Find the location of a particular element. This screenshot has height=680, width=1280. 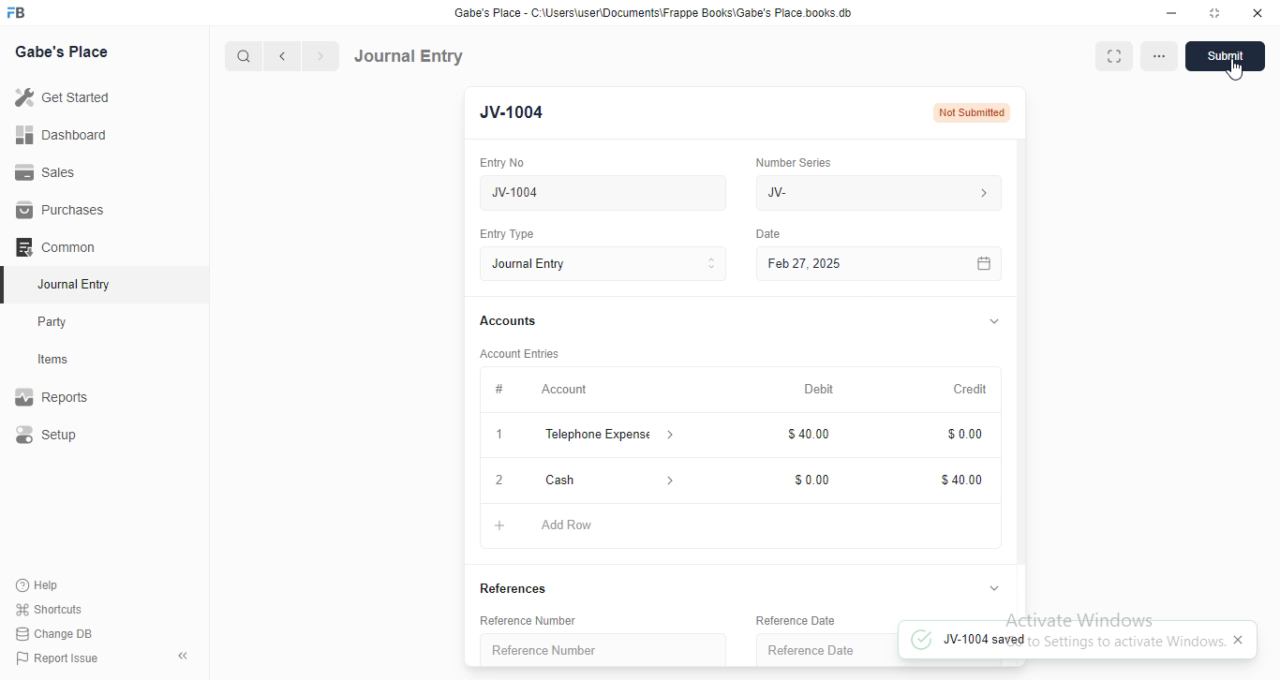

Full width toggle is located at coordinates (1112, 57).